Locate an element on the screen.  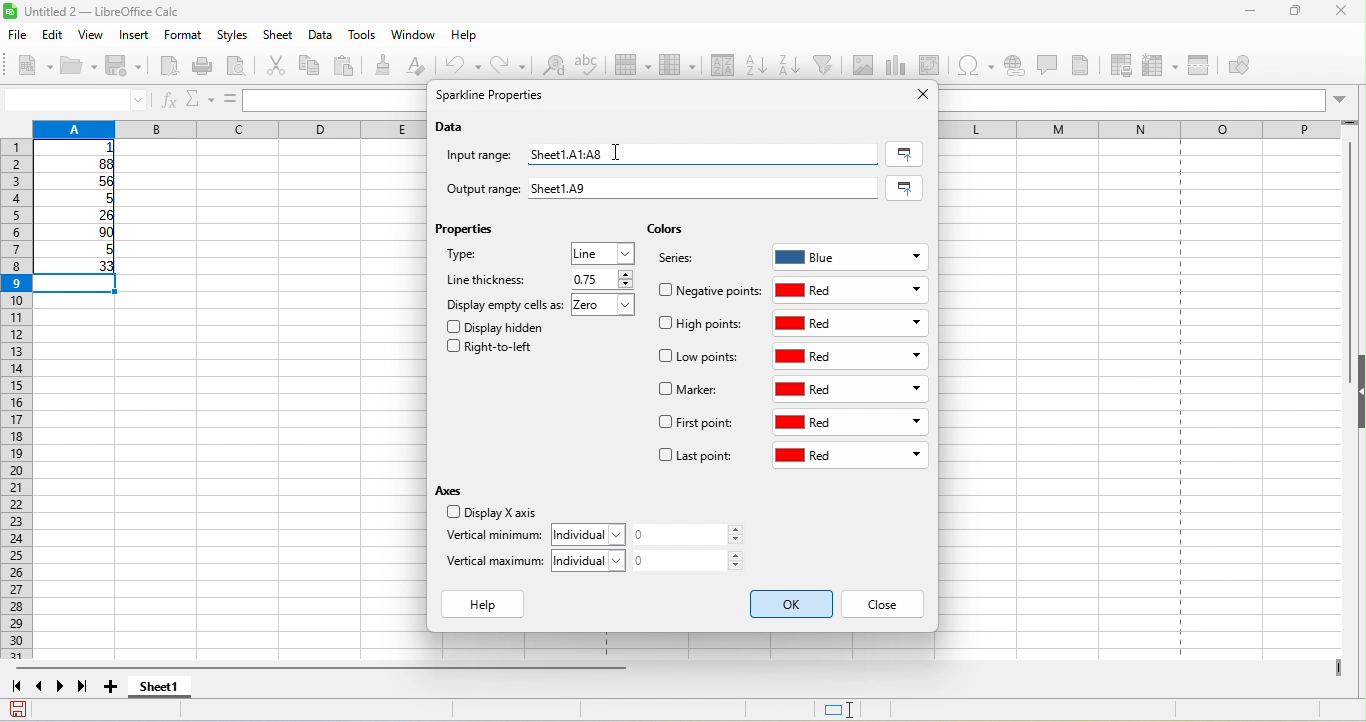
maximize is located at coordinates (1288, 13).